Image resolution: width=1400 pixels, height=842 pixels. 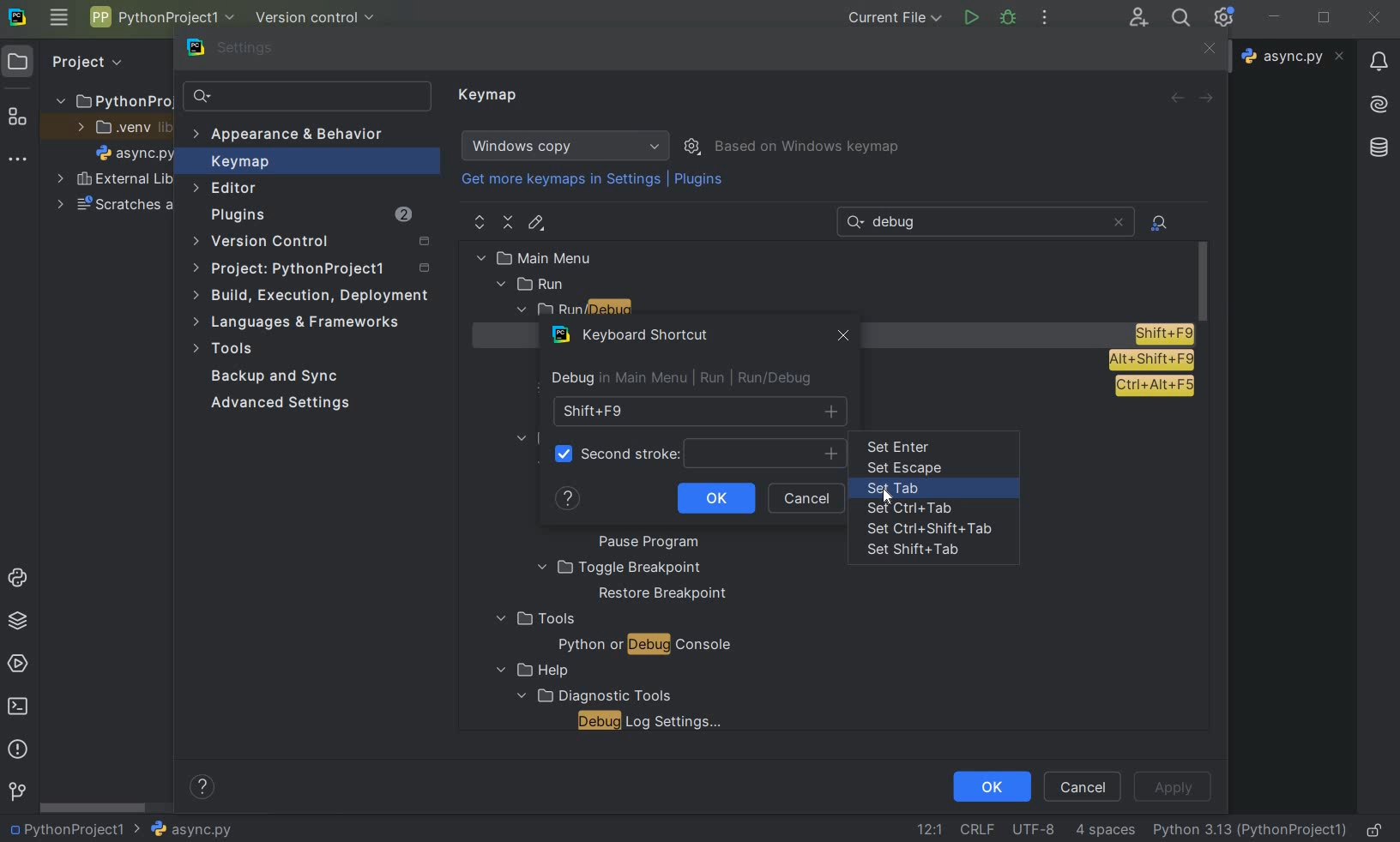 What do you see at coordinates (534, 619) in the screenshot?
I see `tools` at bounding box center [534, 619].